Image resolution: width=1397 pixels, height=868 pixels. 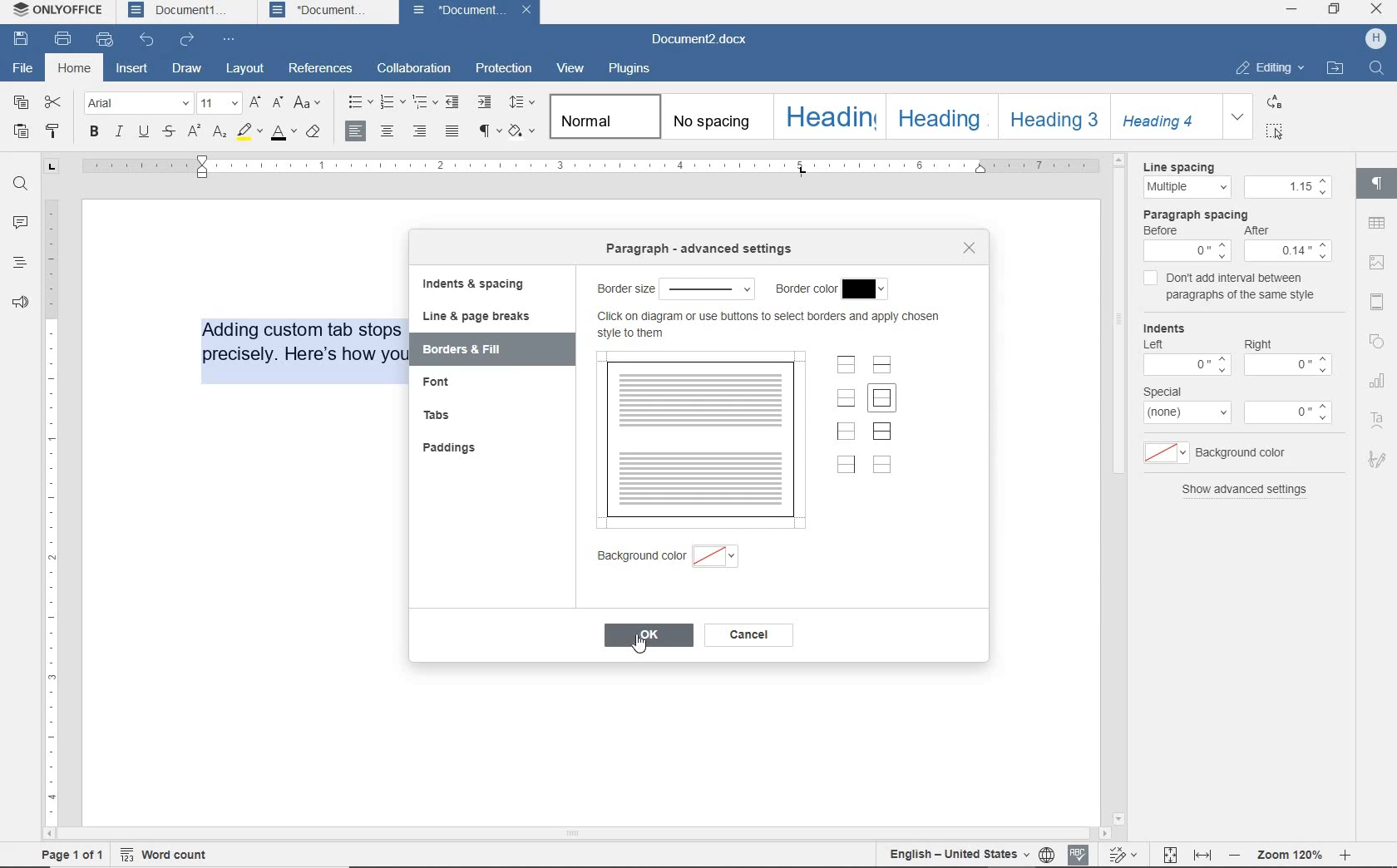 What do you see at coordinates (452, 104) in the screenshot?
I see `decrease indent` at bounding box center [452, 104].